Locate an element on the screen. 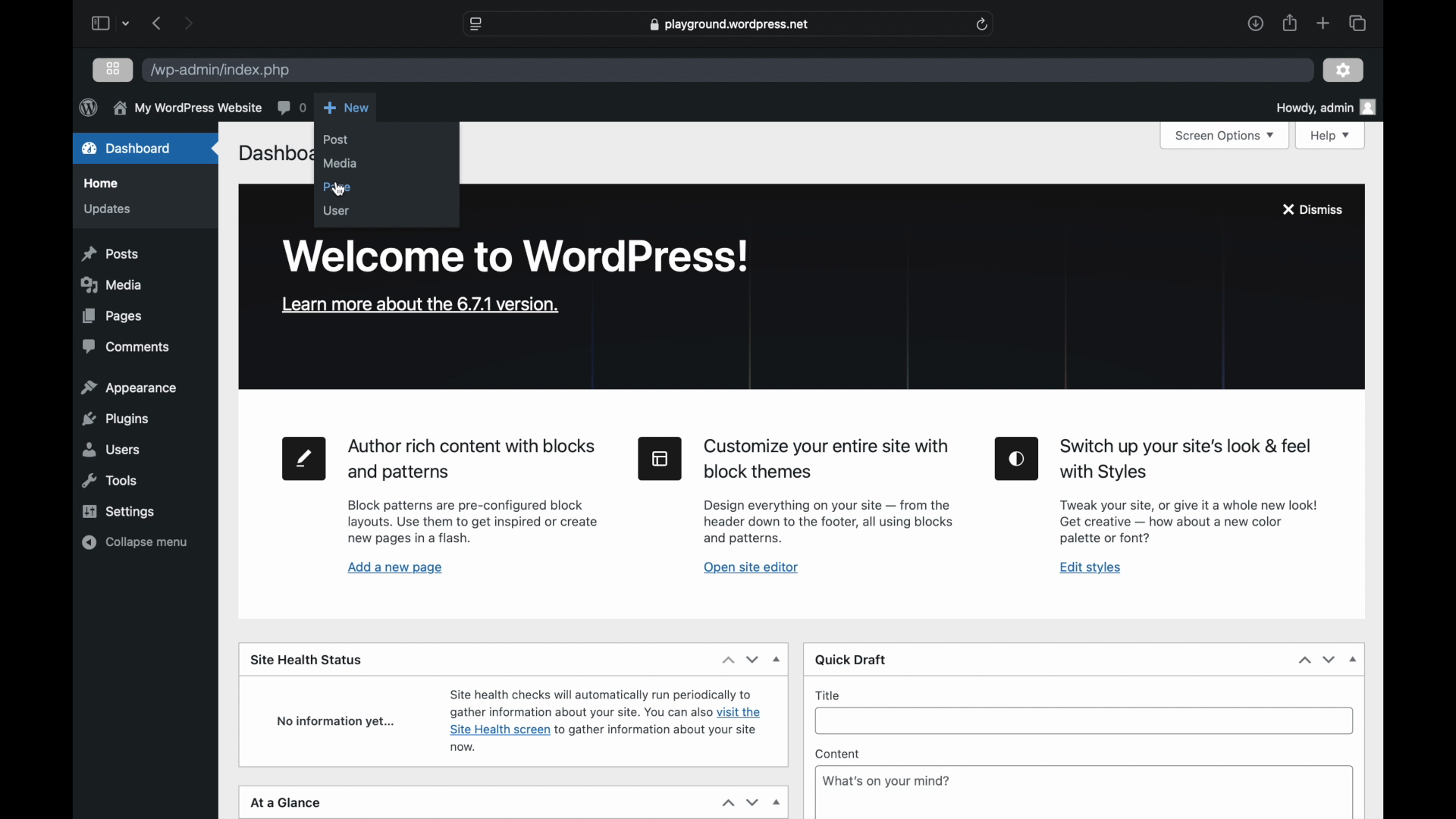 This screenshot has height=819, width=1456. info is located at coordinates (607, 720).